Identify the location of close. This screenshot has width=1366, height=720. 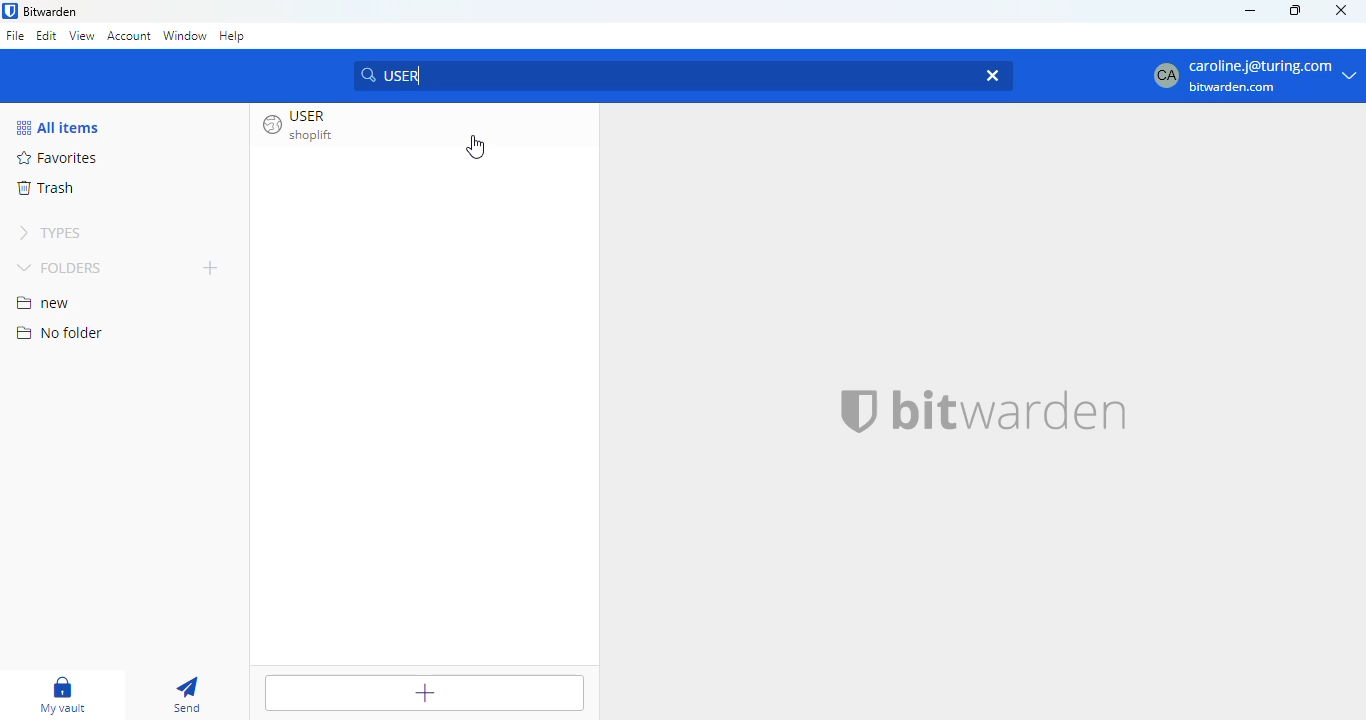
(1340, 10).